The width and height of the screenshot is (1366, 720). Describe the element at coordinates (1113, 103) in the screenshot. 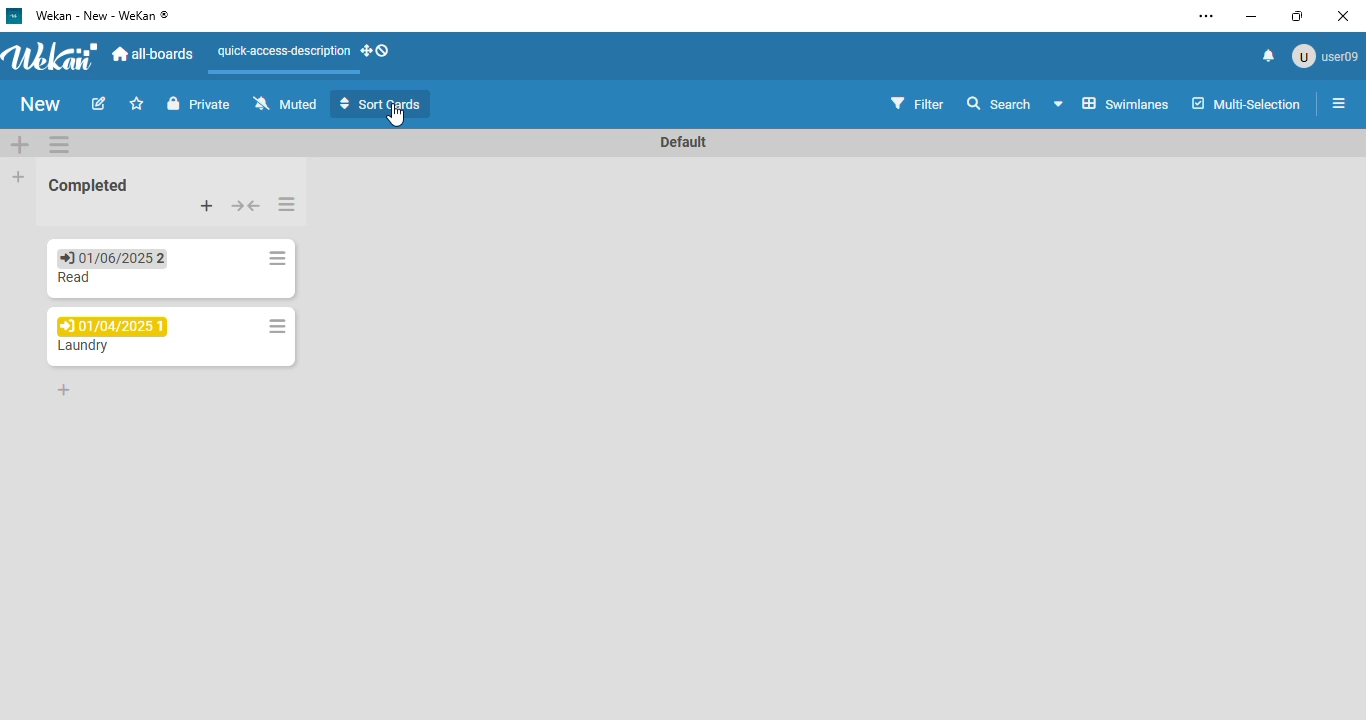

I see `board view` at that location.